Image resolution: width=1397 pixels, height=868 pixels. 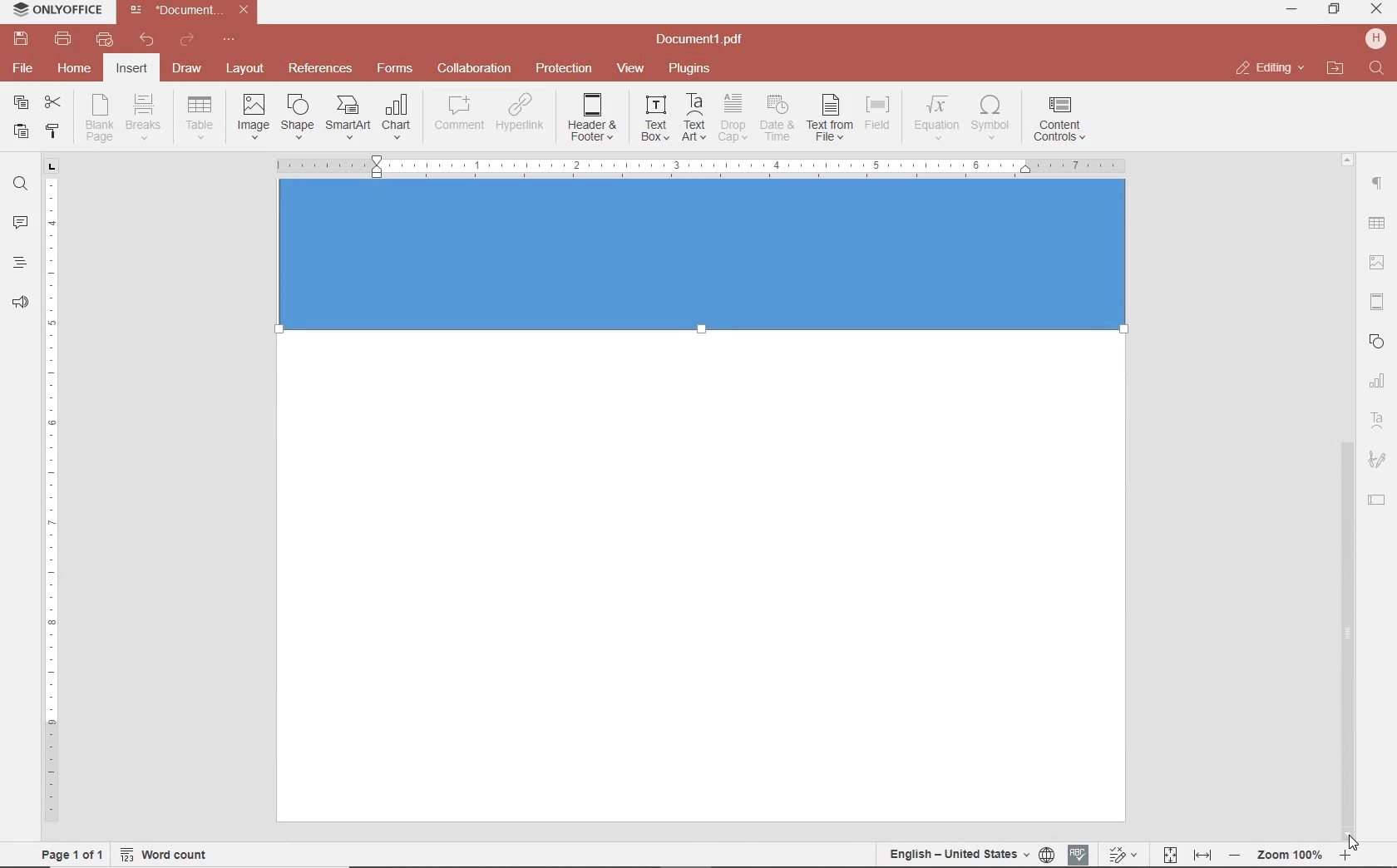 I want to click on INSERT CONTENT CONTROLS, so click(x=1059, y=120).